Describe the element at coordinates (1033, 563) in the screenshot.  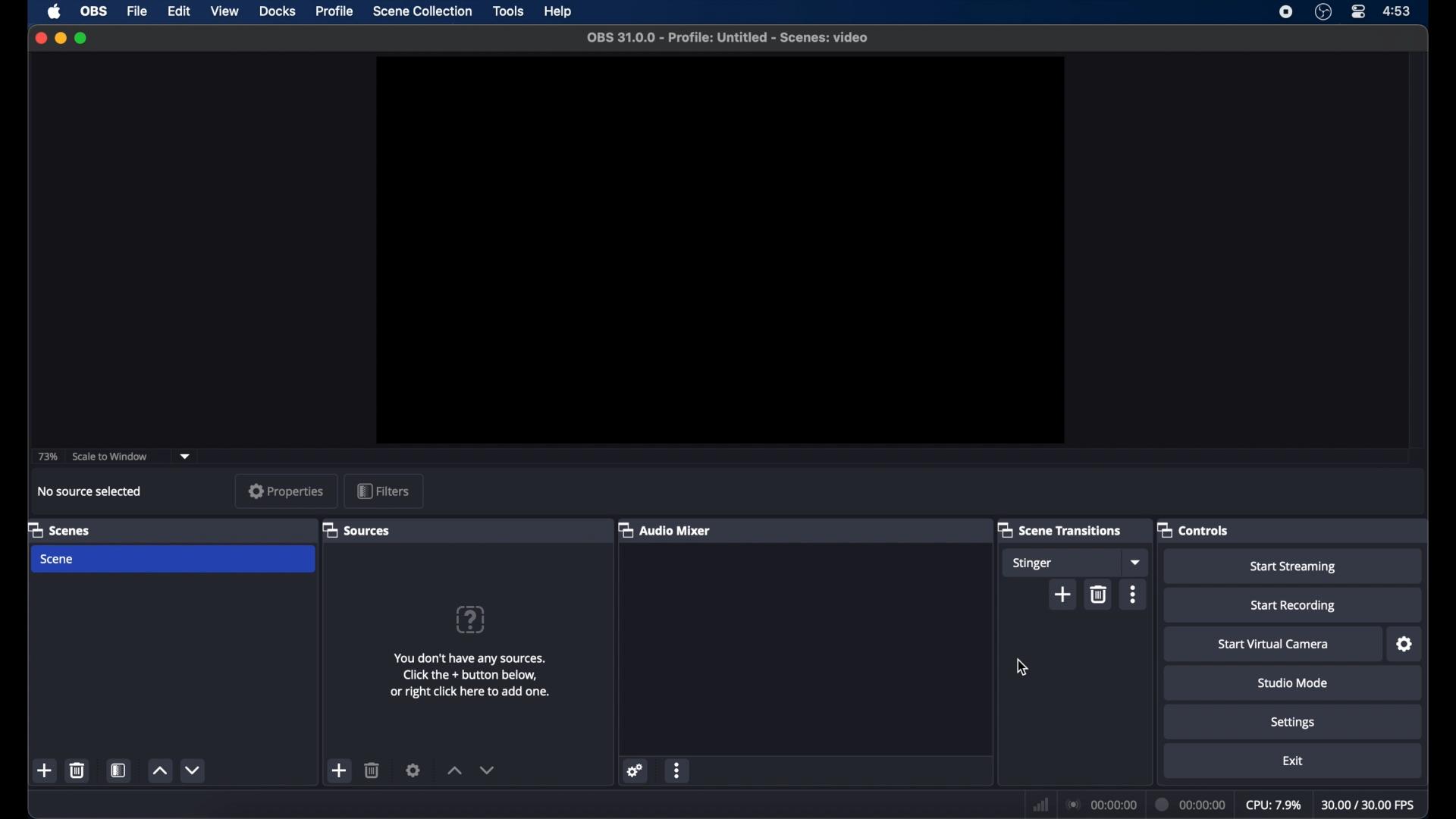
I see `stinger` at that location.